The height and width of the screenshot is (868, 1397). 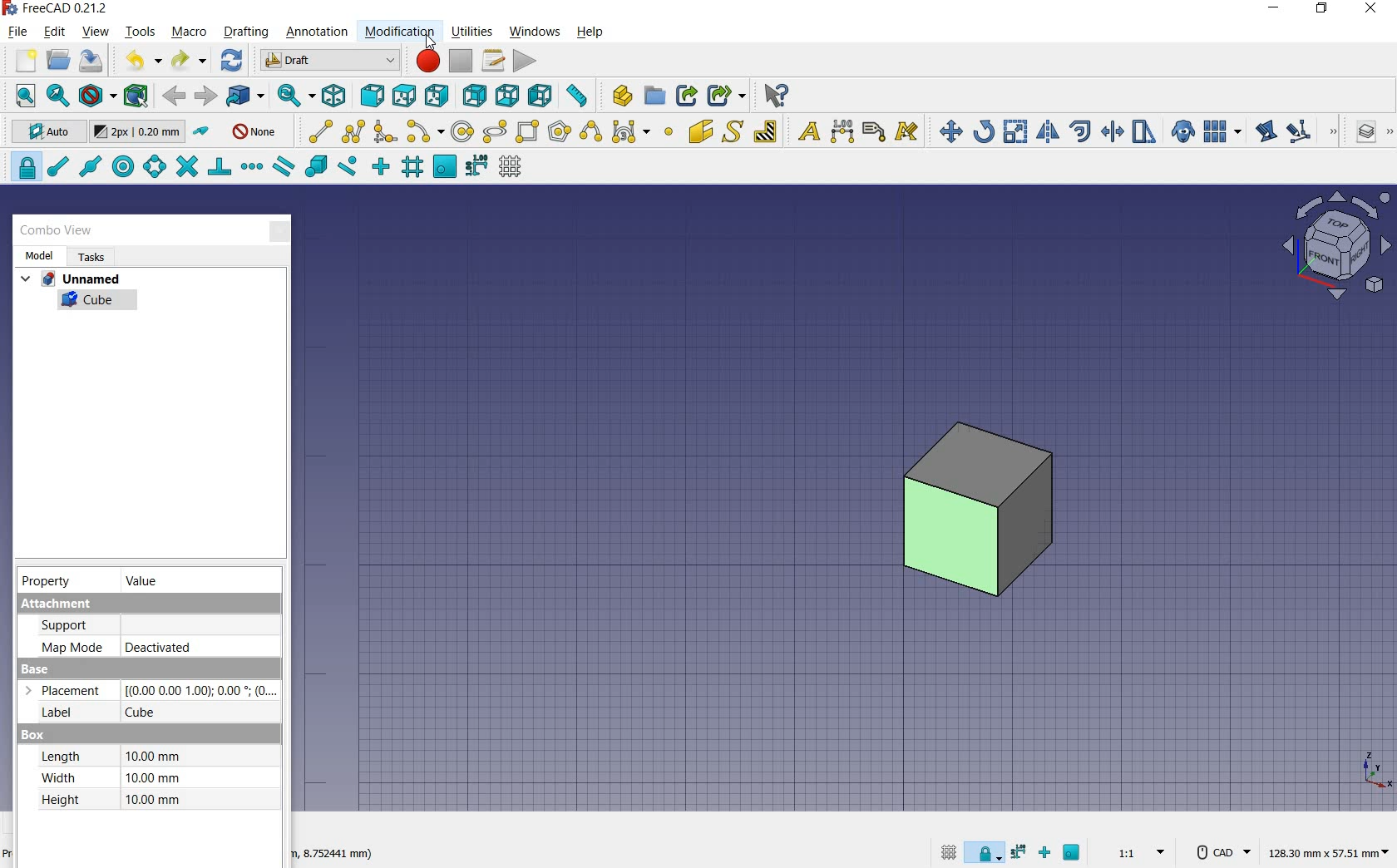 What do you see at coordinates (186, 61) in the screenshot?
I see `redo` at bounding box center [186, 61].